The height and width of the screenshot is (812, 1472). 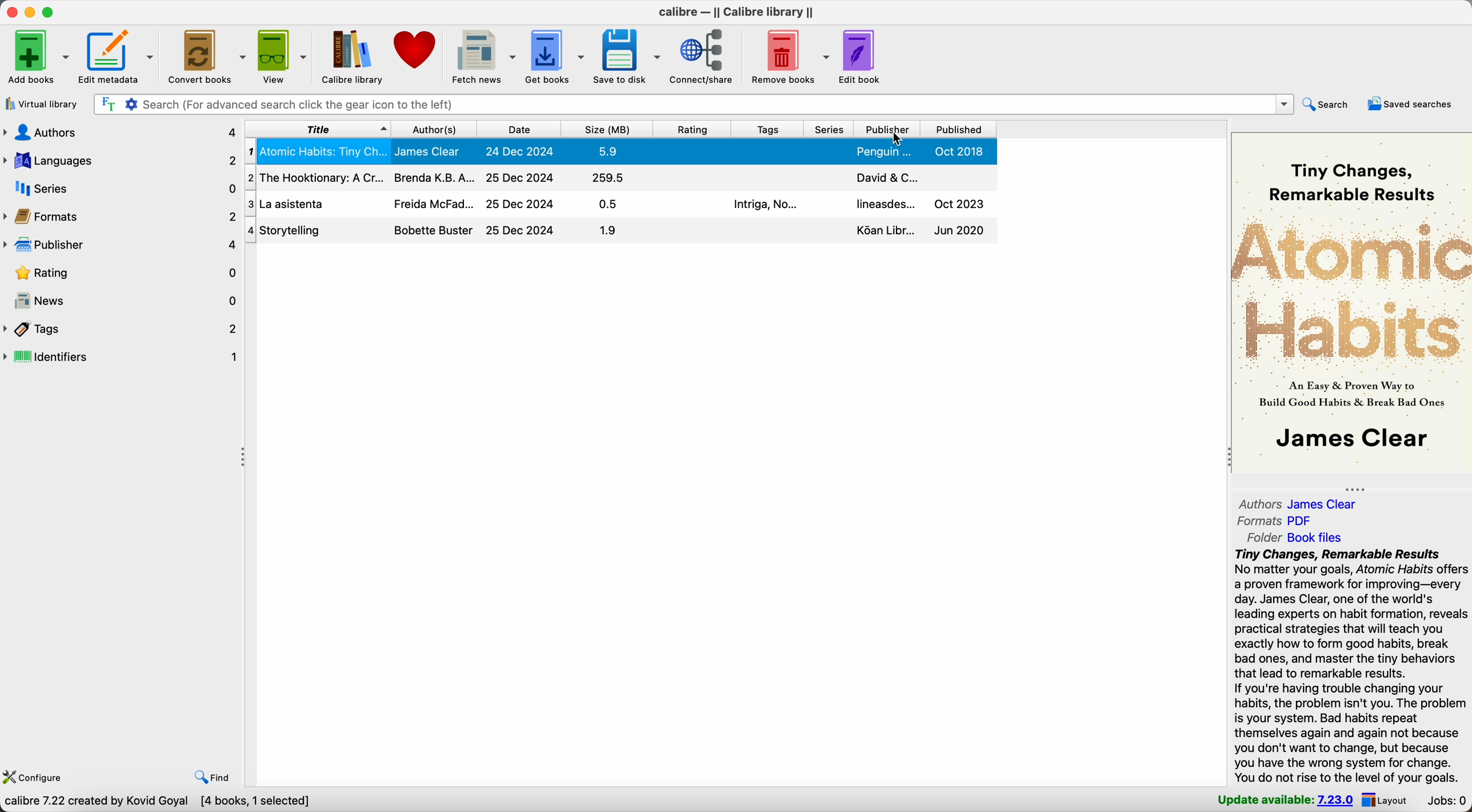 What do you see at coordinates (1387, 800) in the screenshot?
I see `layout` at bounding box center [1387, 800].